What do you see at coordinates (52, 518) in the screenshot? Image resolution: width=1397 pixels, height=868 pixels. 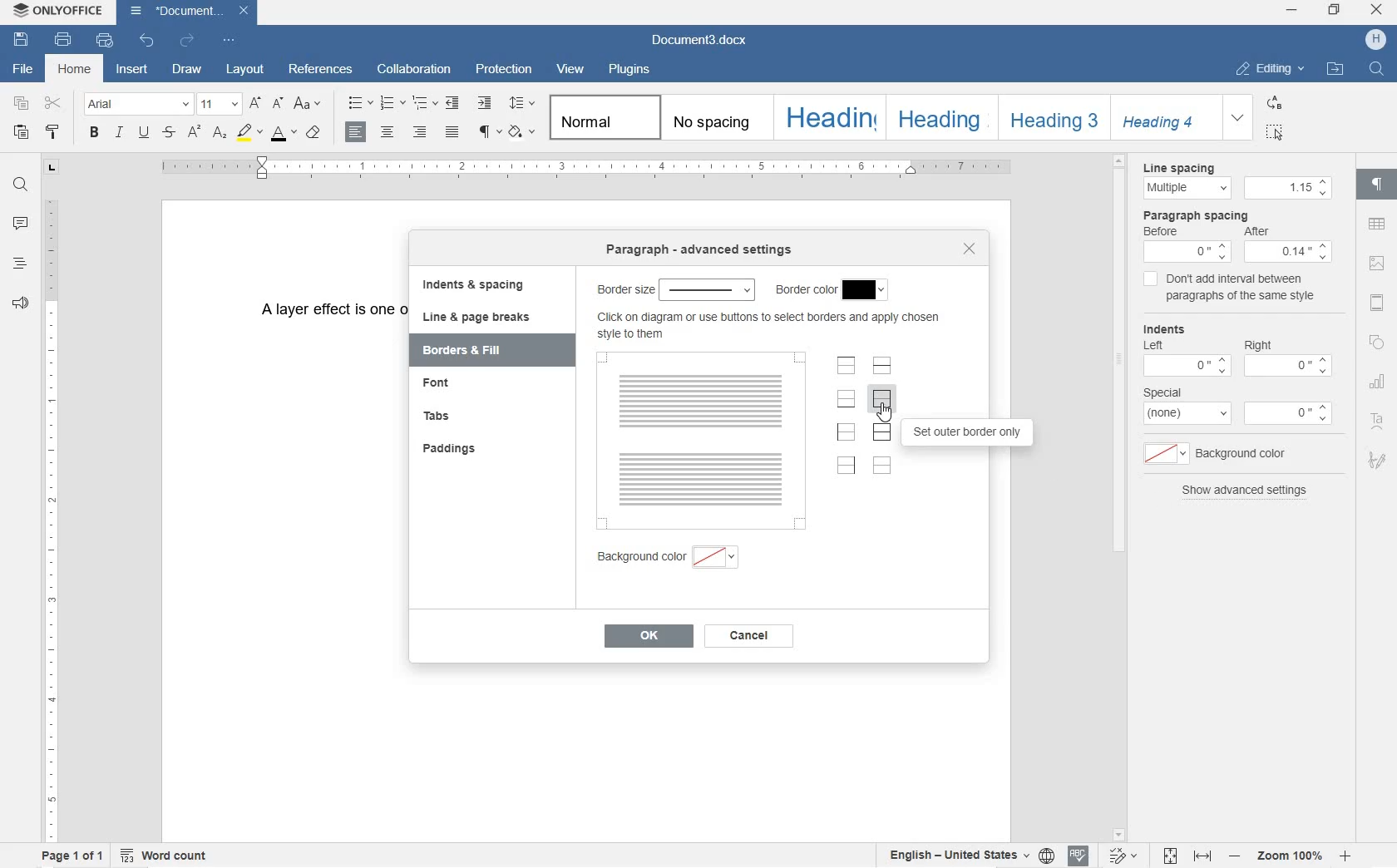 I see `RULER` at bounding box center [52, 518].